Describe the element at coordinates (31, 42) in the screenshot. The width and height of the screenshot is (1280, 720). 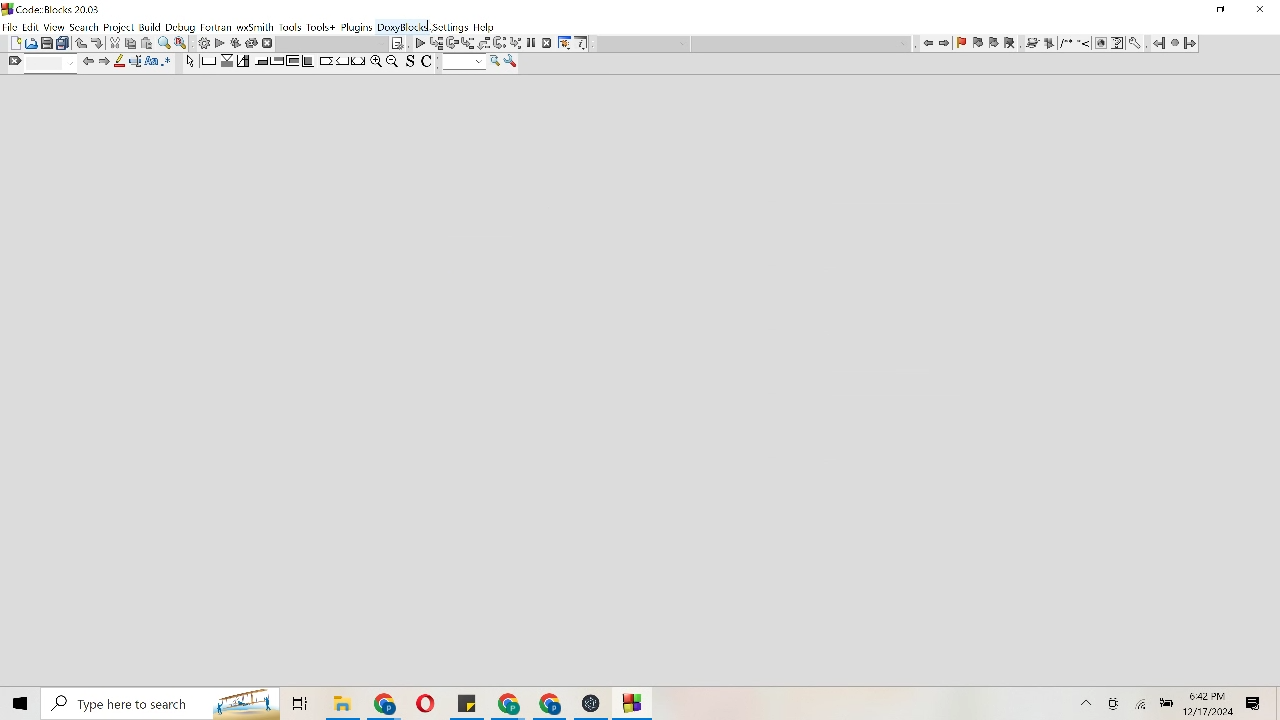
I see `Picture` at that location.